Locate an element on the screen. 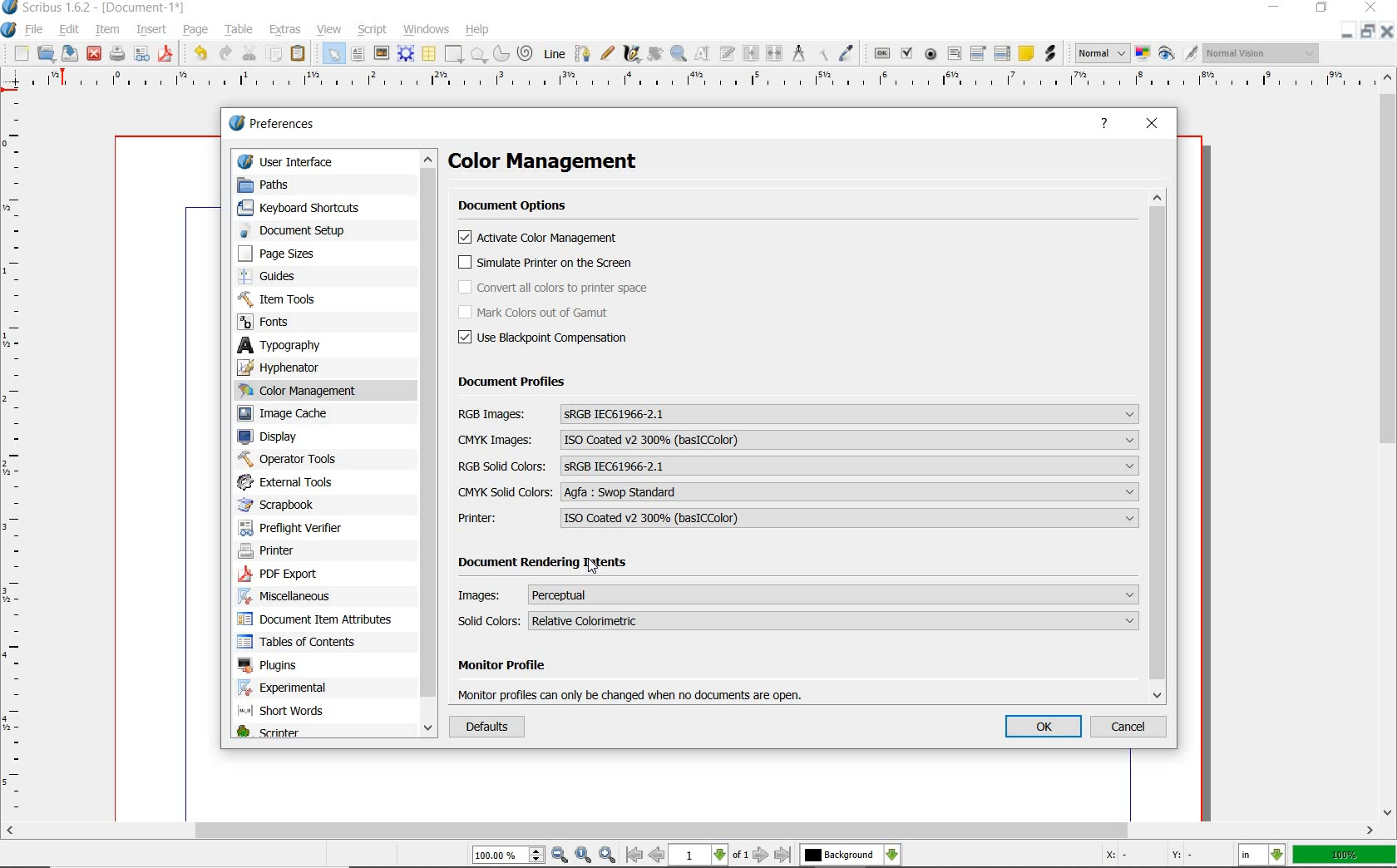  arc is located at coordinates (501, 53).